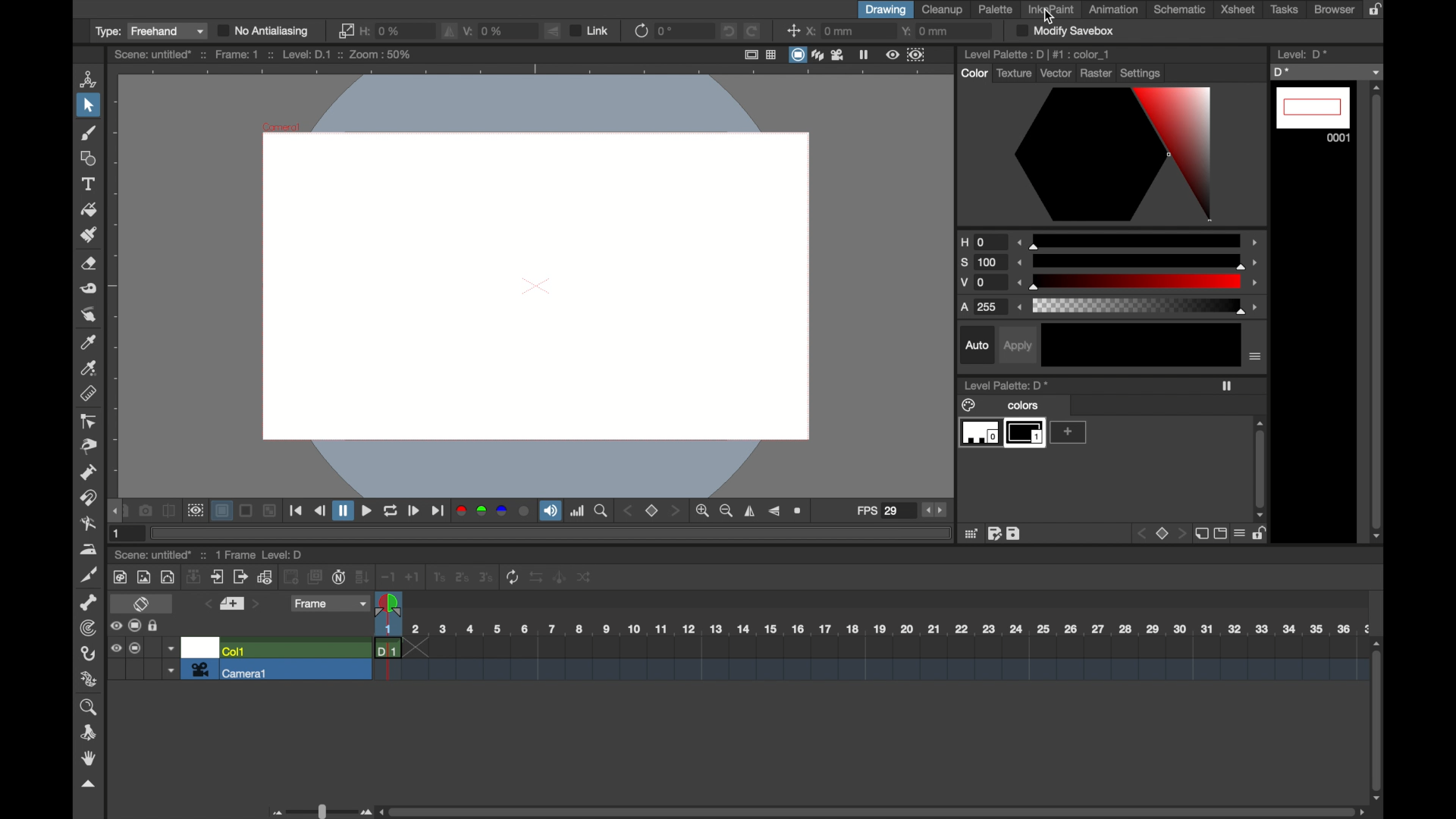 The width and height of the screenshot is (1456, 819). Describe the element at coordinates (339, 577) in the screenshot. I see `n` at that location.